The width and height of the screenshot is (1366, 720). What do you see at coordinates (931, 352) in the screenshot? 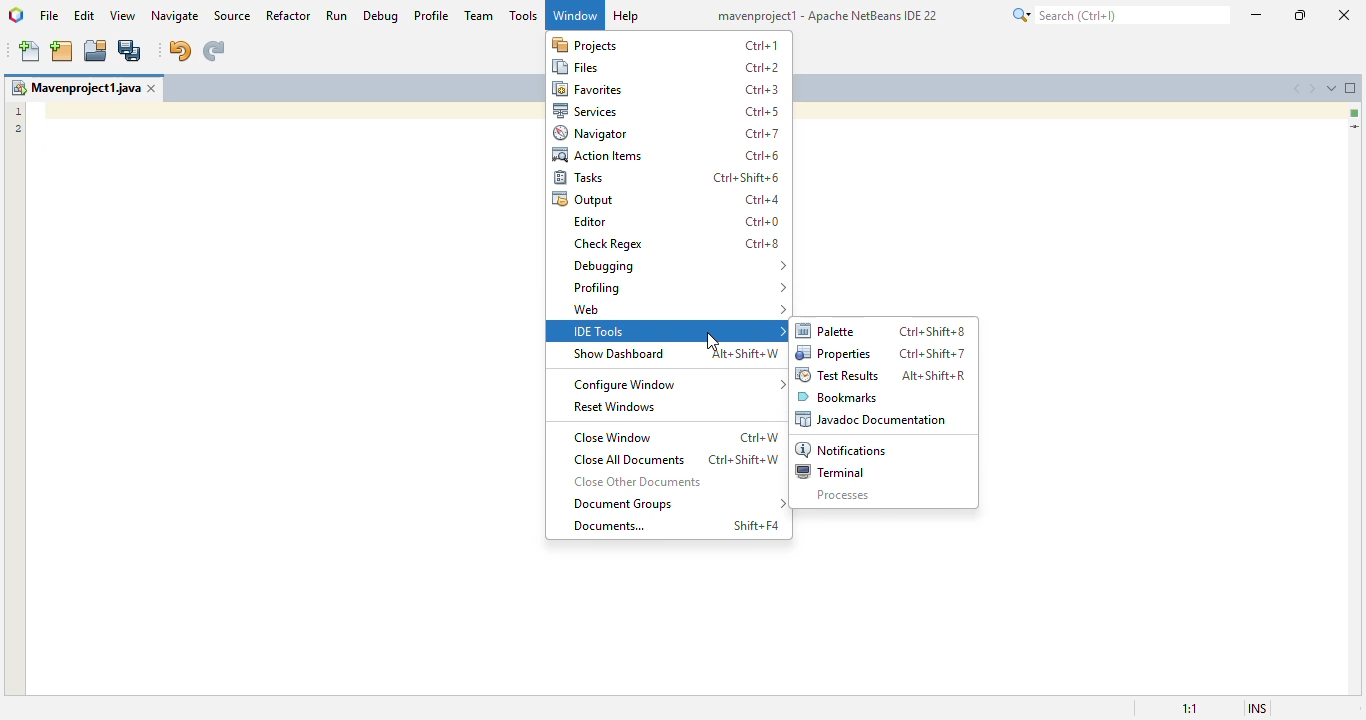
I see `shortcut for properties` at bounding box center [931, 352].